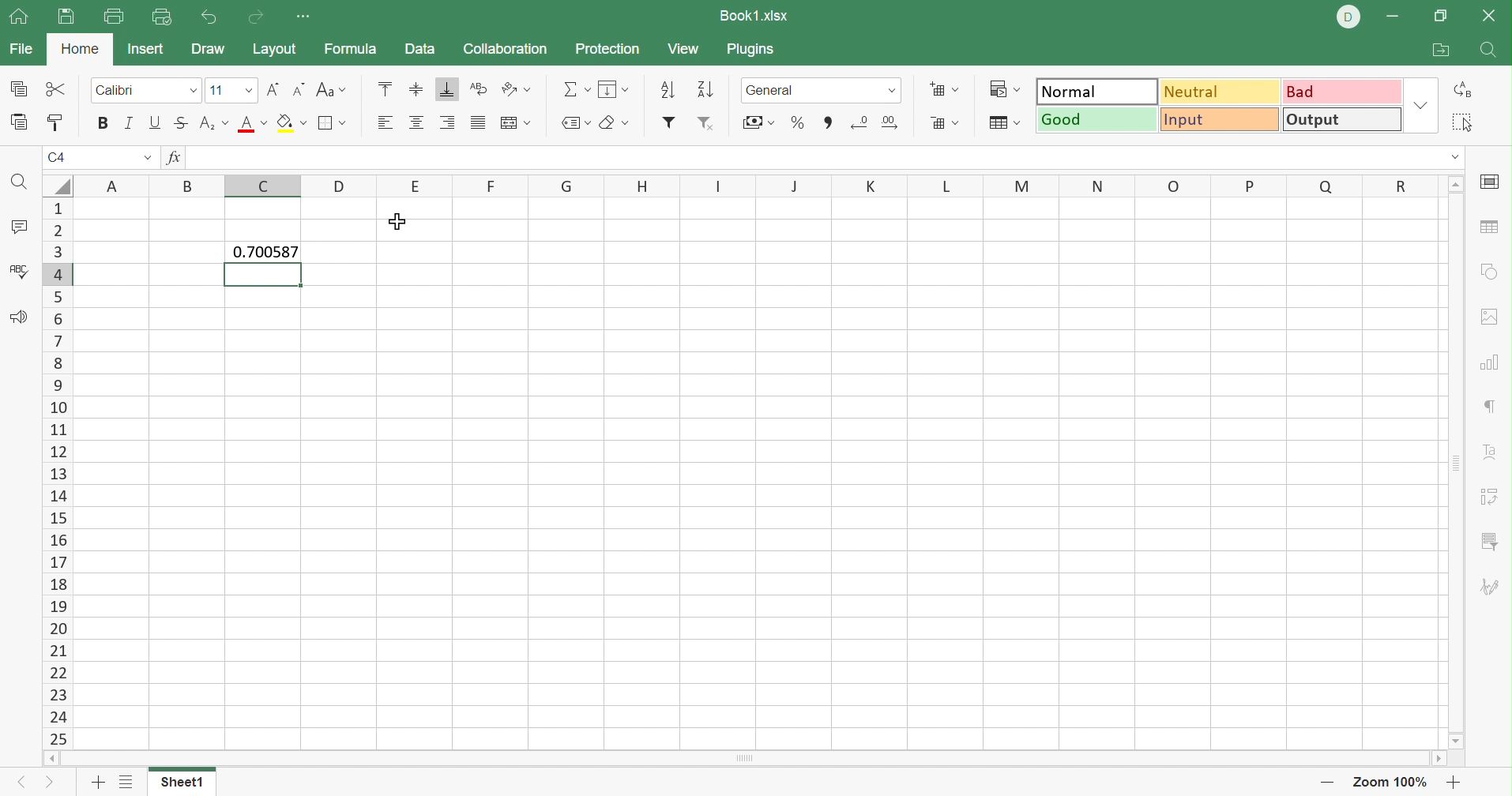  Describe the element at coordinates (1442, 16) in the screenshot. I see `Restore down` at that location.